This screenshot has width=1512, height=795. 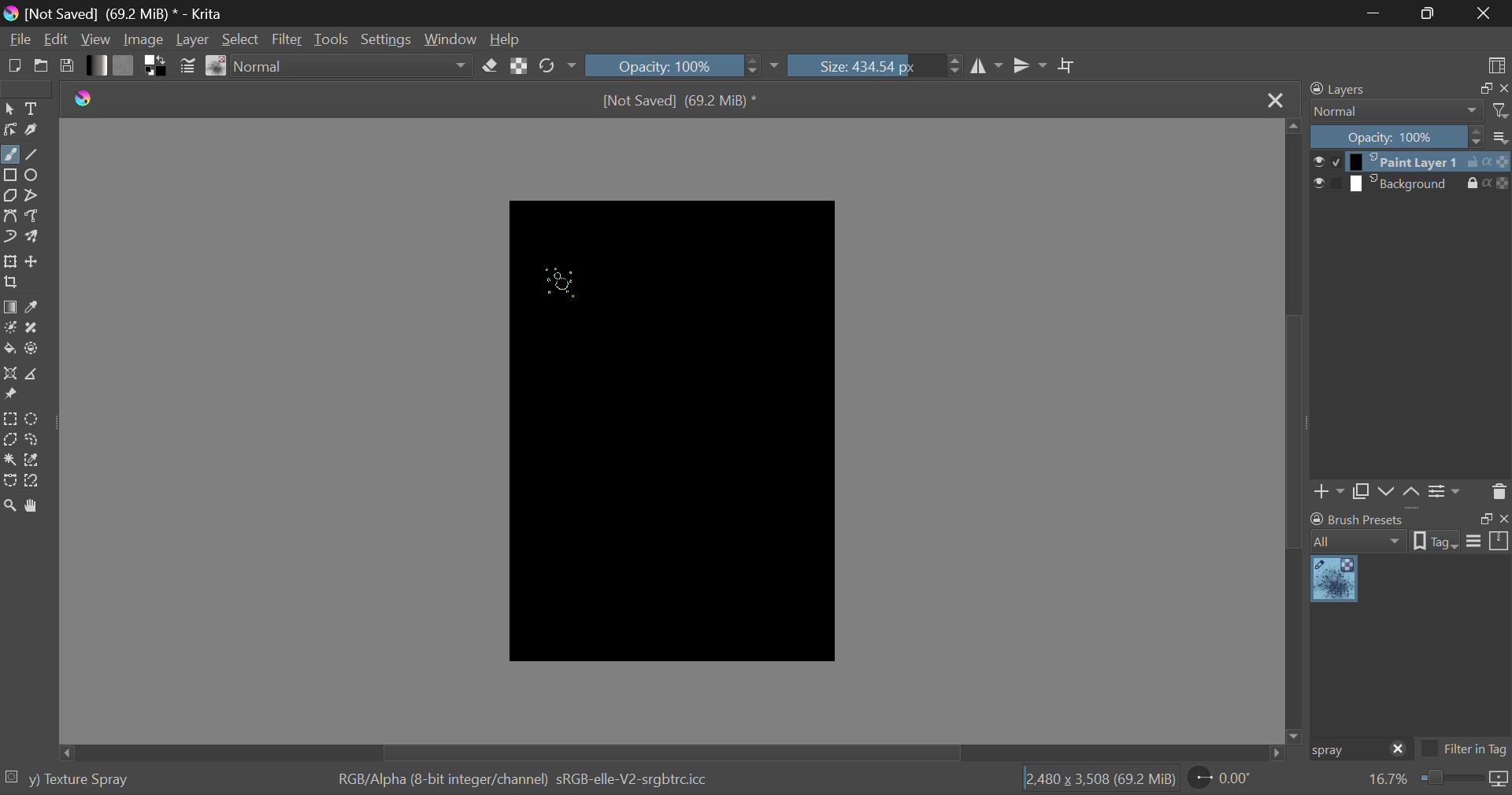 What do you see at coordinates (1388, 780) in the screenshot?
I see `zoom value` at bounding box center [1388, 780].